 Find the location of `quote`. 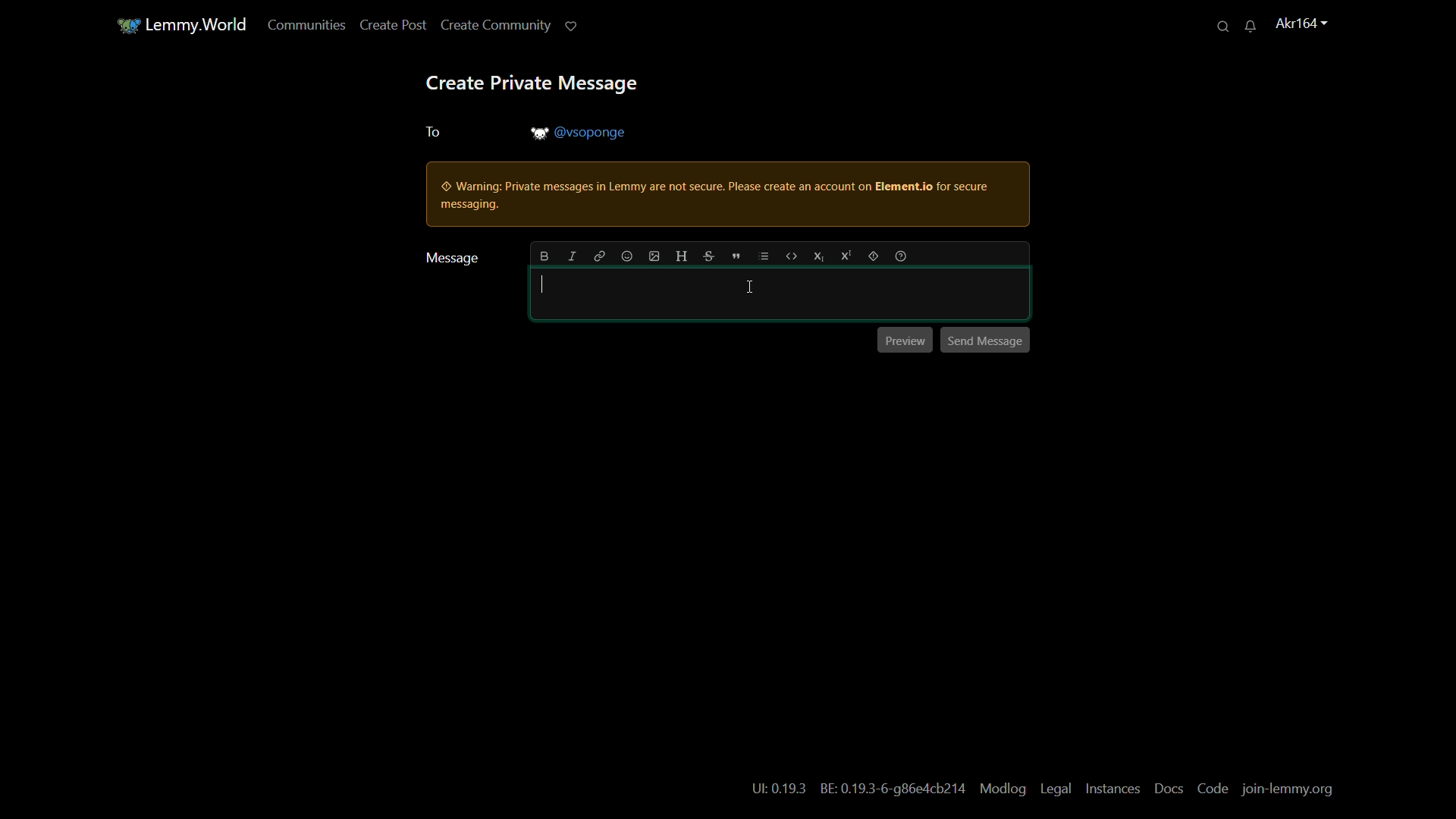

quote is located at coordinates (734, 256).